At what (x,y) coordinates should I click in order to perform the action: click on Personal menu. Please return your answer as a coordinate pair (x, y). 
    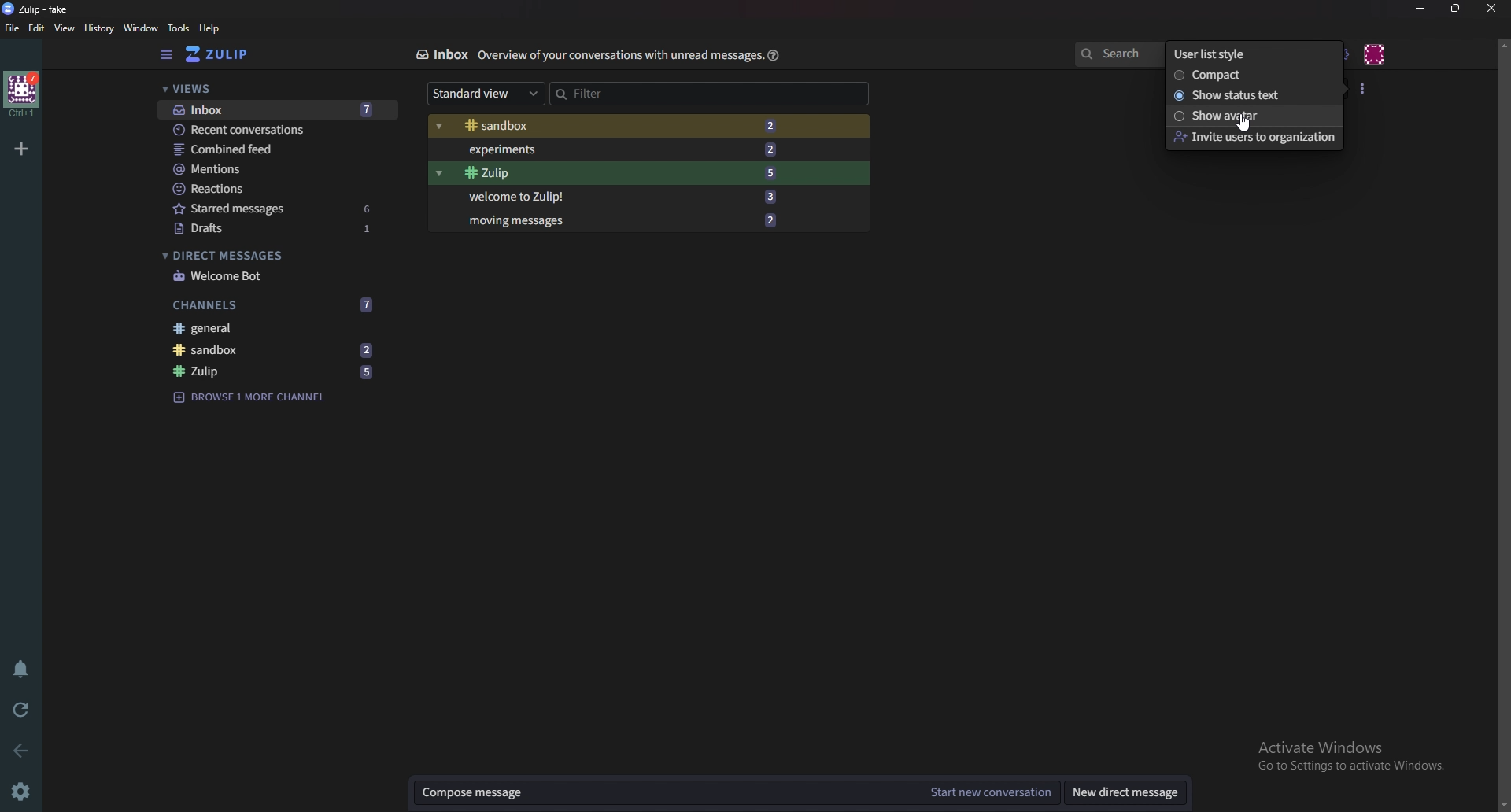
    Looking at the image, I should click on (1373, 52).